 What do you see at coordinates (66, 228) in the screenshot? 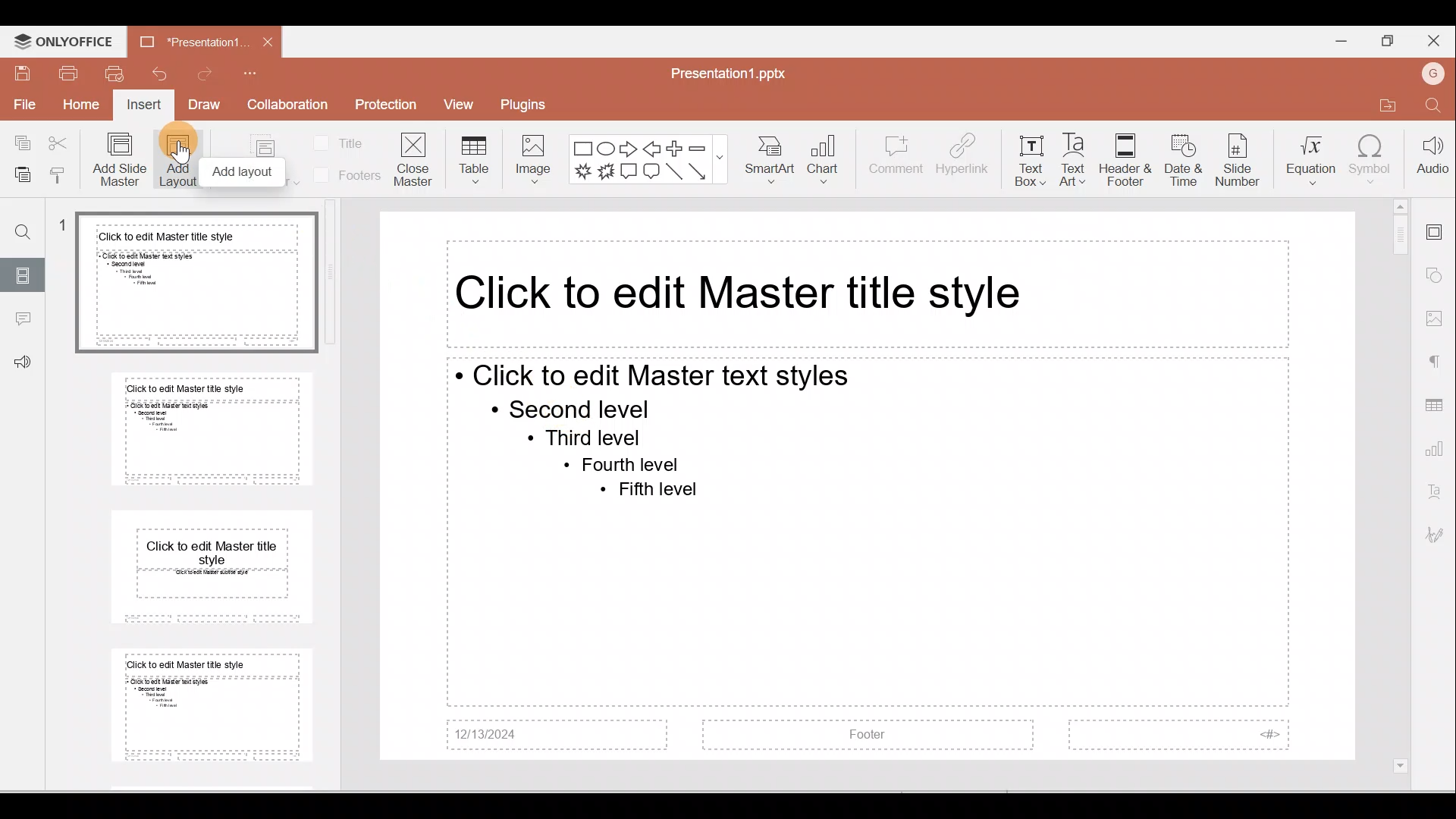
I see `1` at bounding box center [66, 228].